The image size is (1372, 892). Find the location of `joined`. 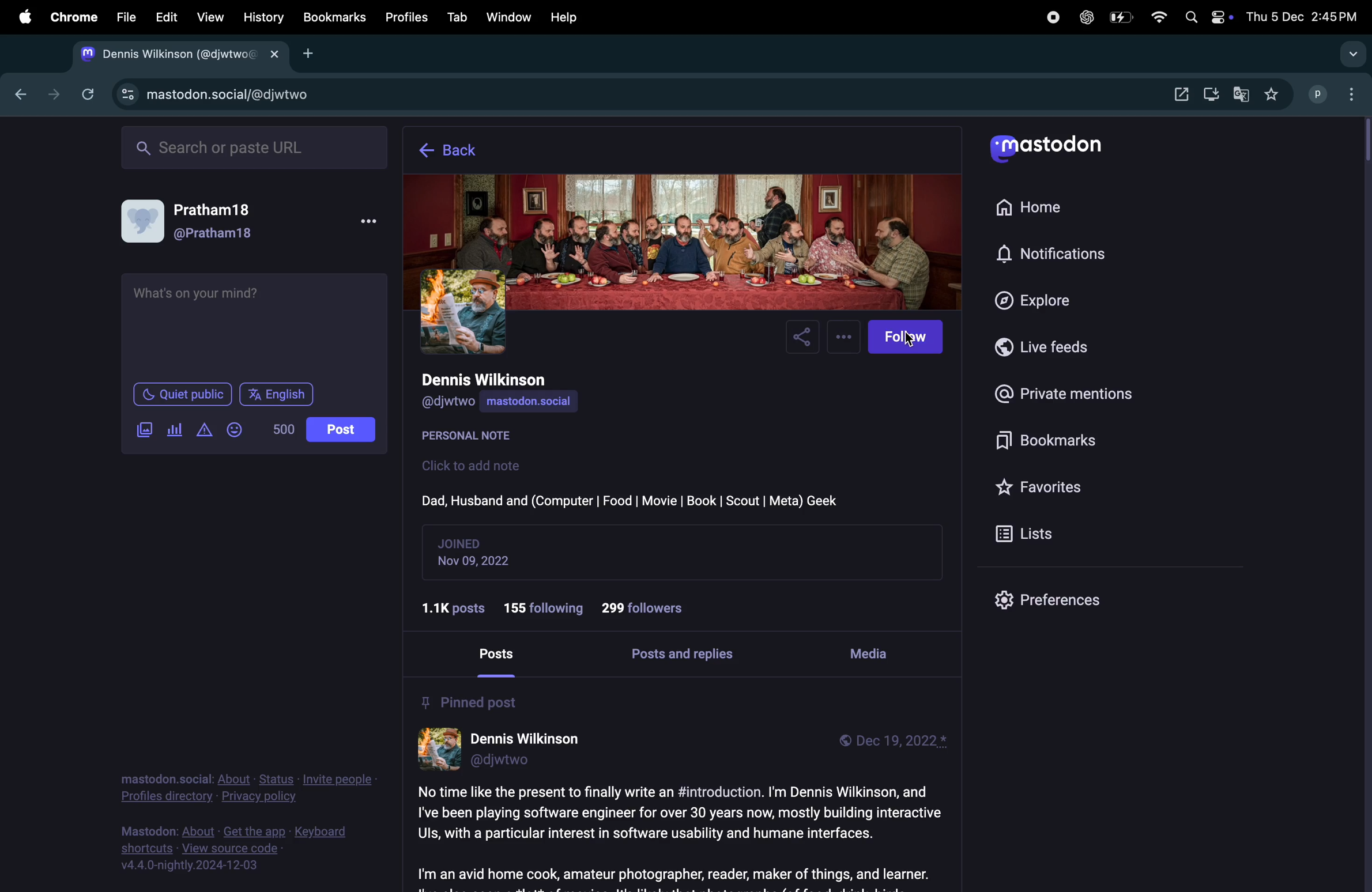

joined is located at coordinates (463, 542).